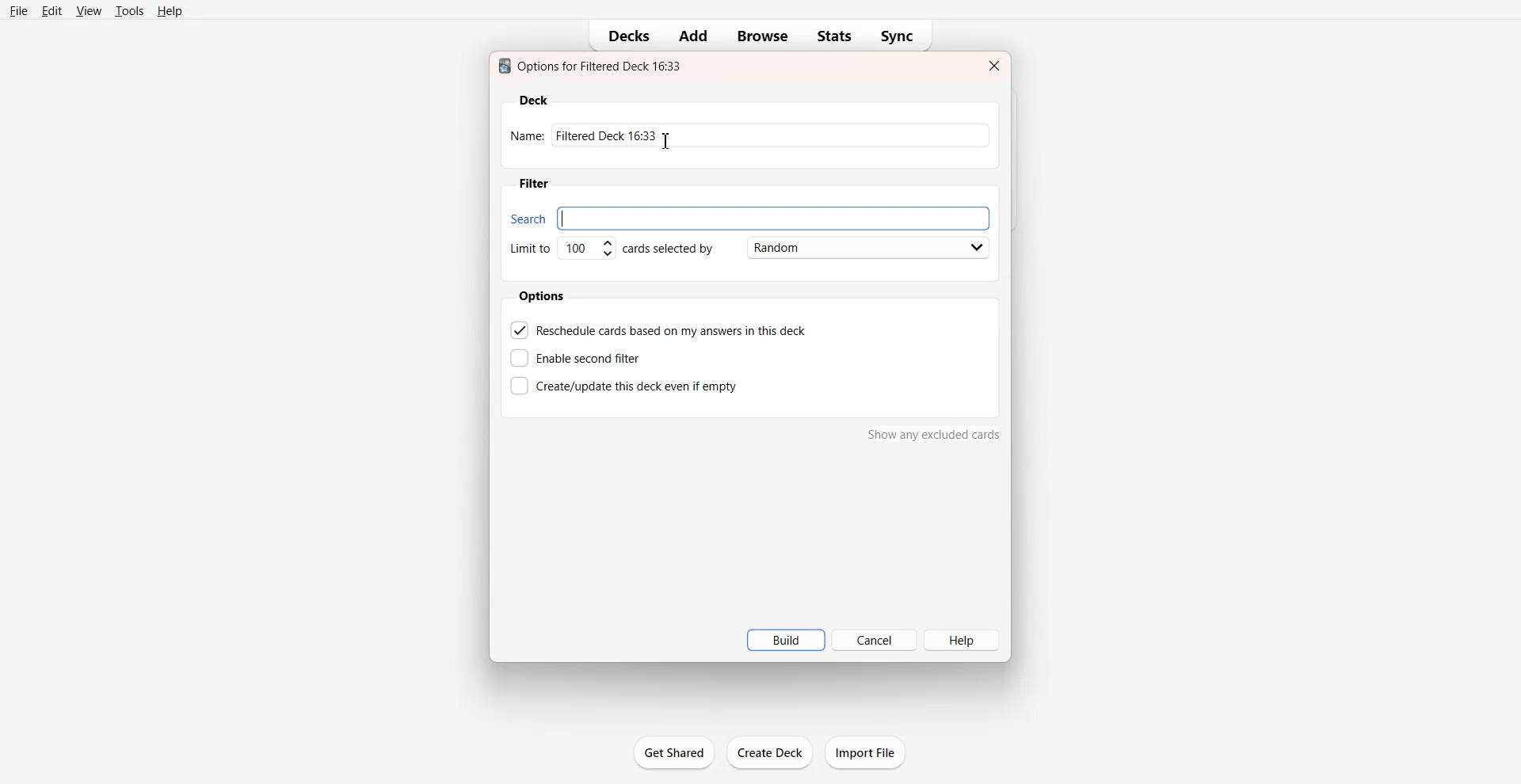 The height and width of the screenshot is (784, 1521). Describe the element at coordinates (581, 358) in the screenshot. I see `Enable second filter` at that location.